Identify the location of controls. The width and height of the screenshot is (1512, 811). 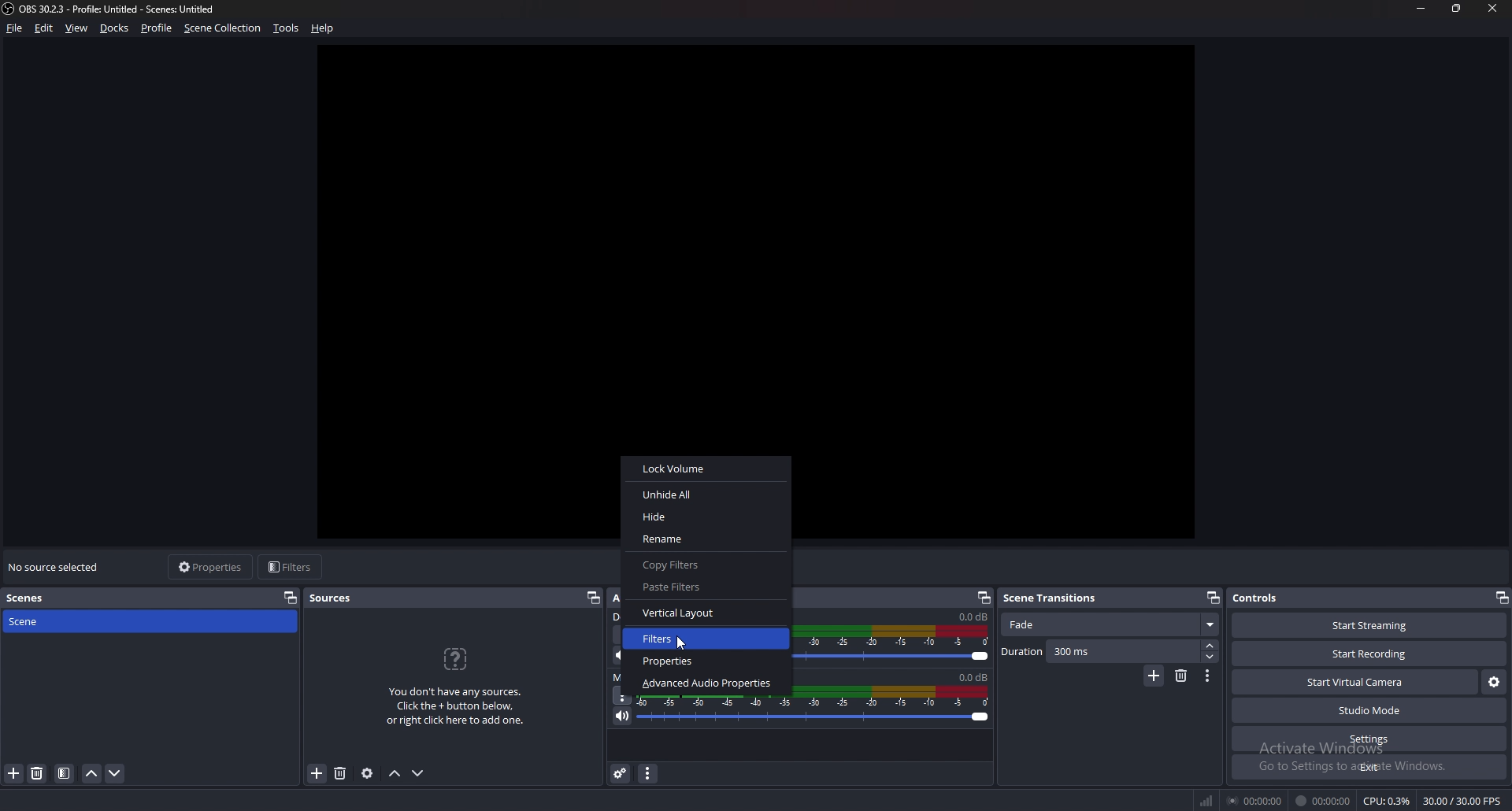
(1262, 598).